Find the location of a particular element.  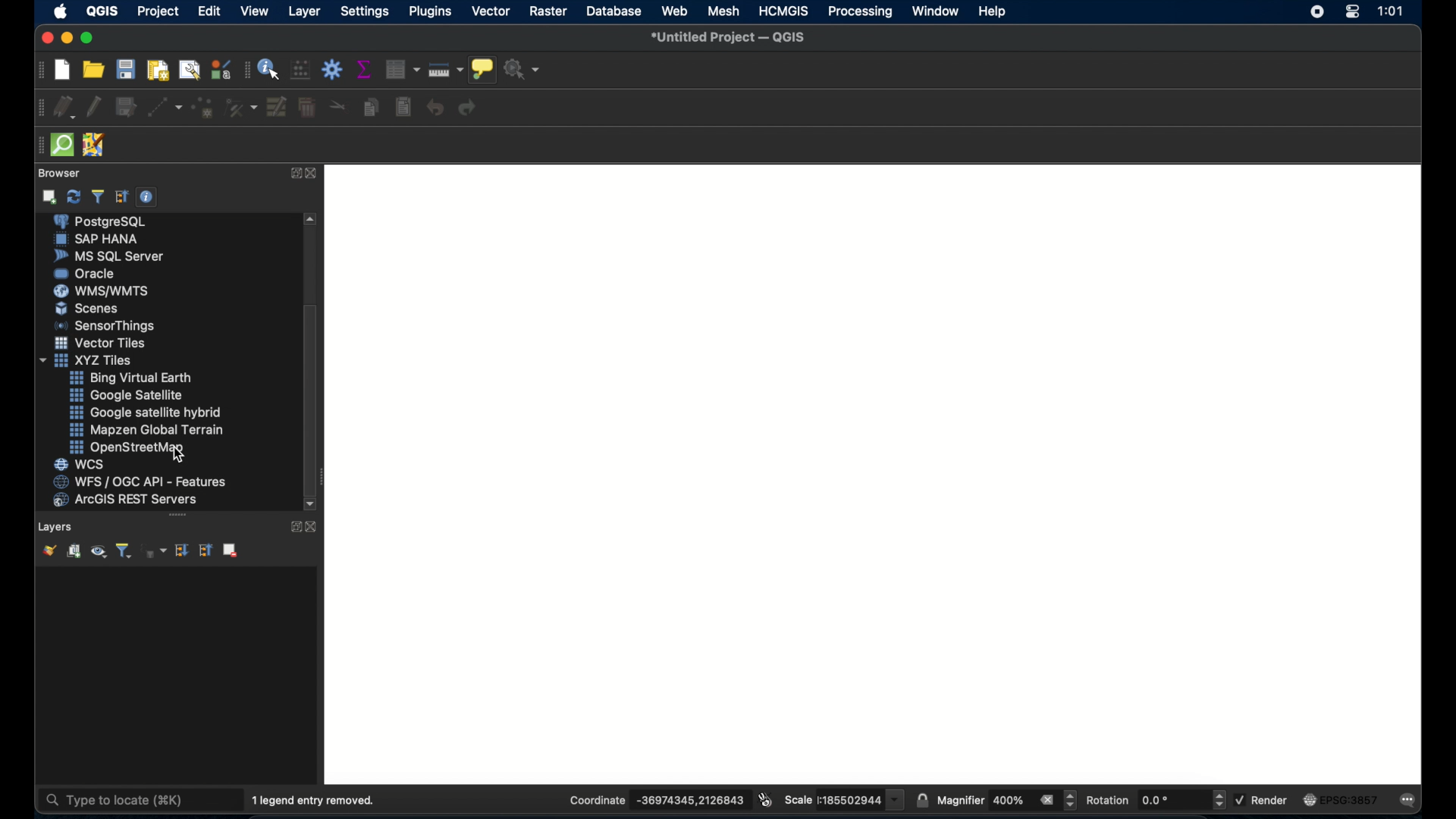

scroll box is located at coordinates (309, 397).